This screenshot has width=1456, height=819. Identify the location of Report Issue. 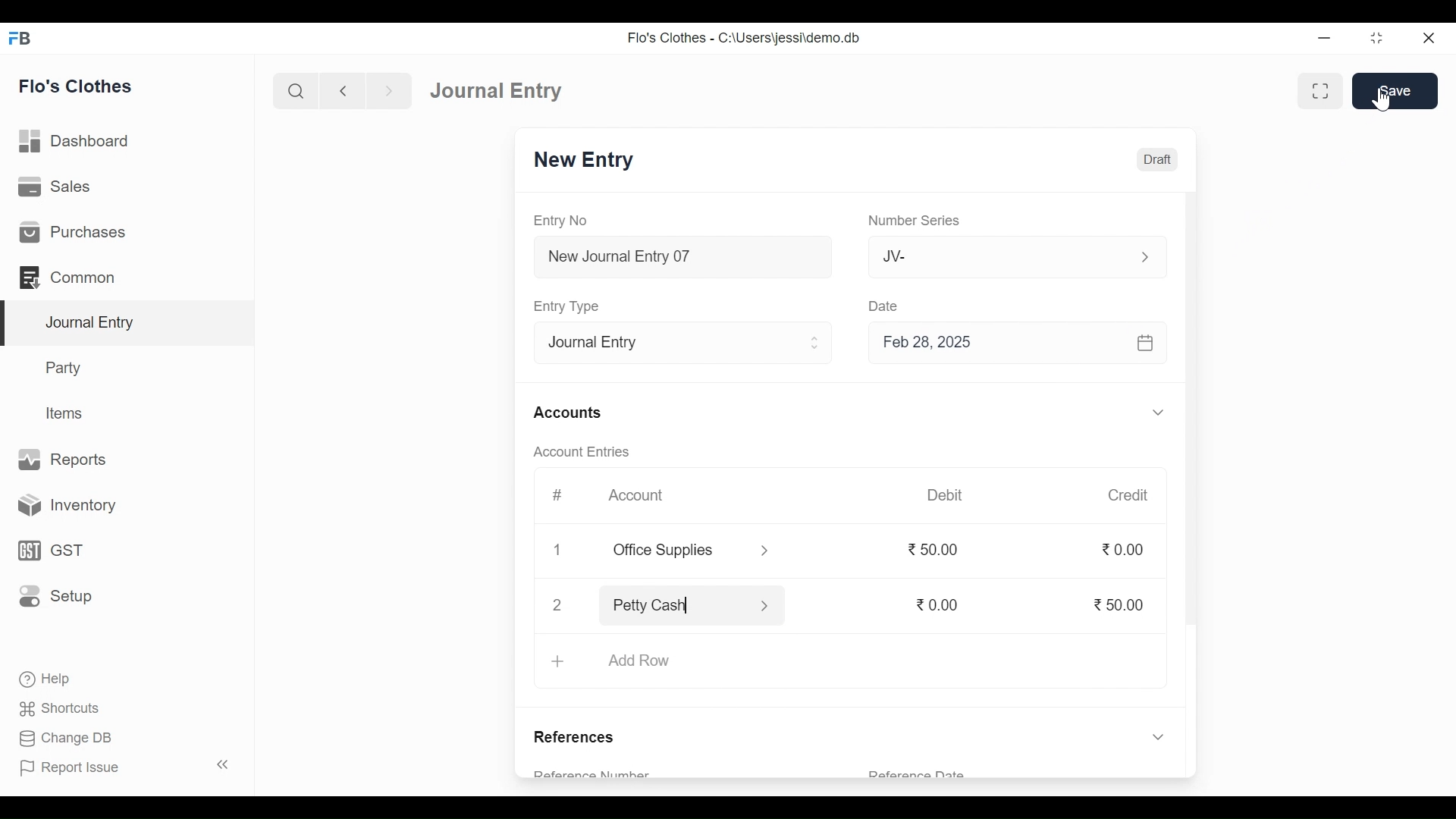
(69, 767).